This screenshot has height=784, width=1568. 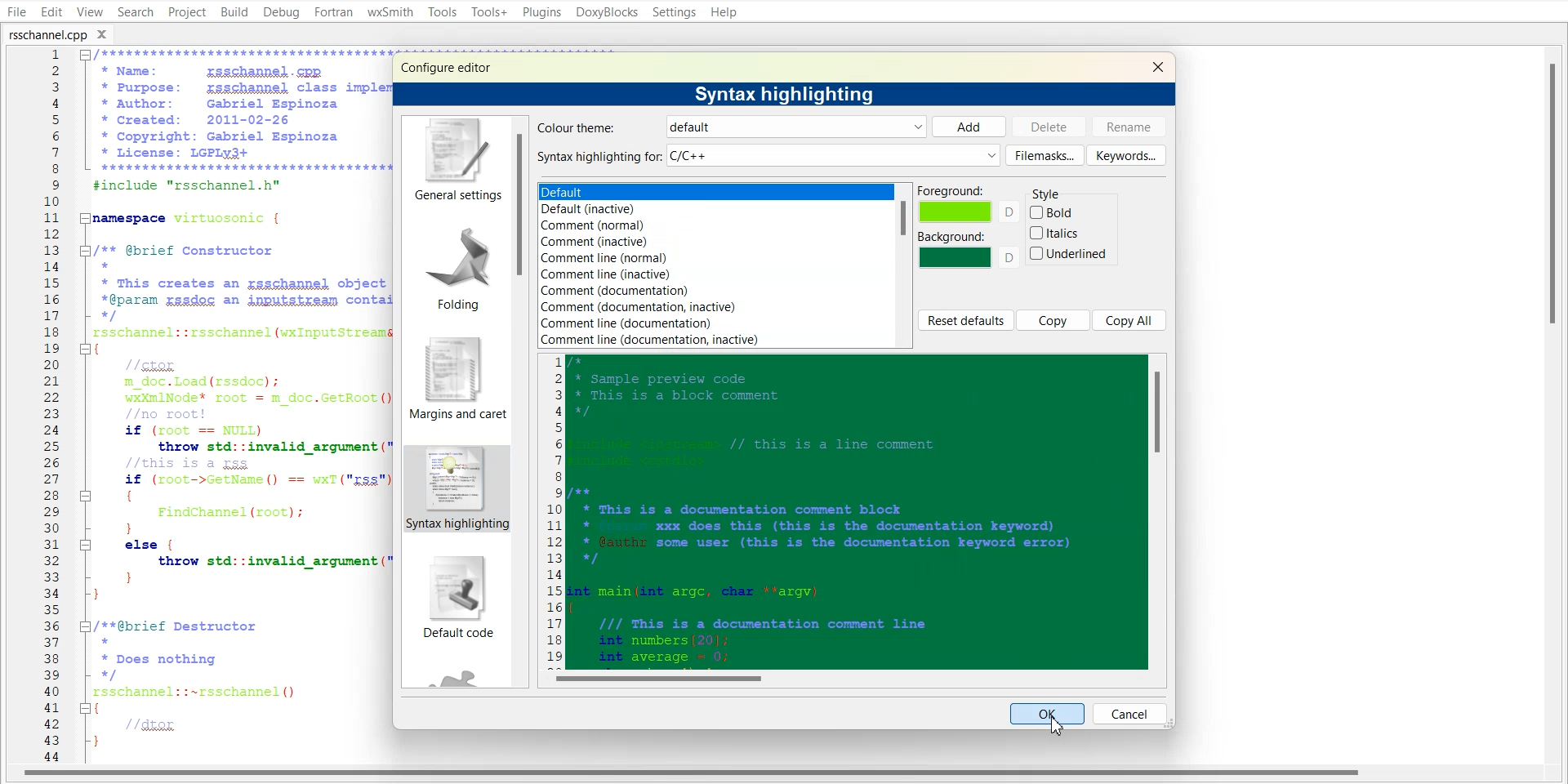 I want to click on Syntax highlighting for, so click(x=768, y=156).